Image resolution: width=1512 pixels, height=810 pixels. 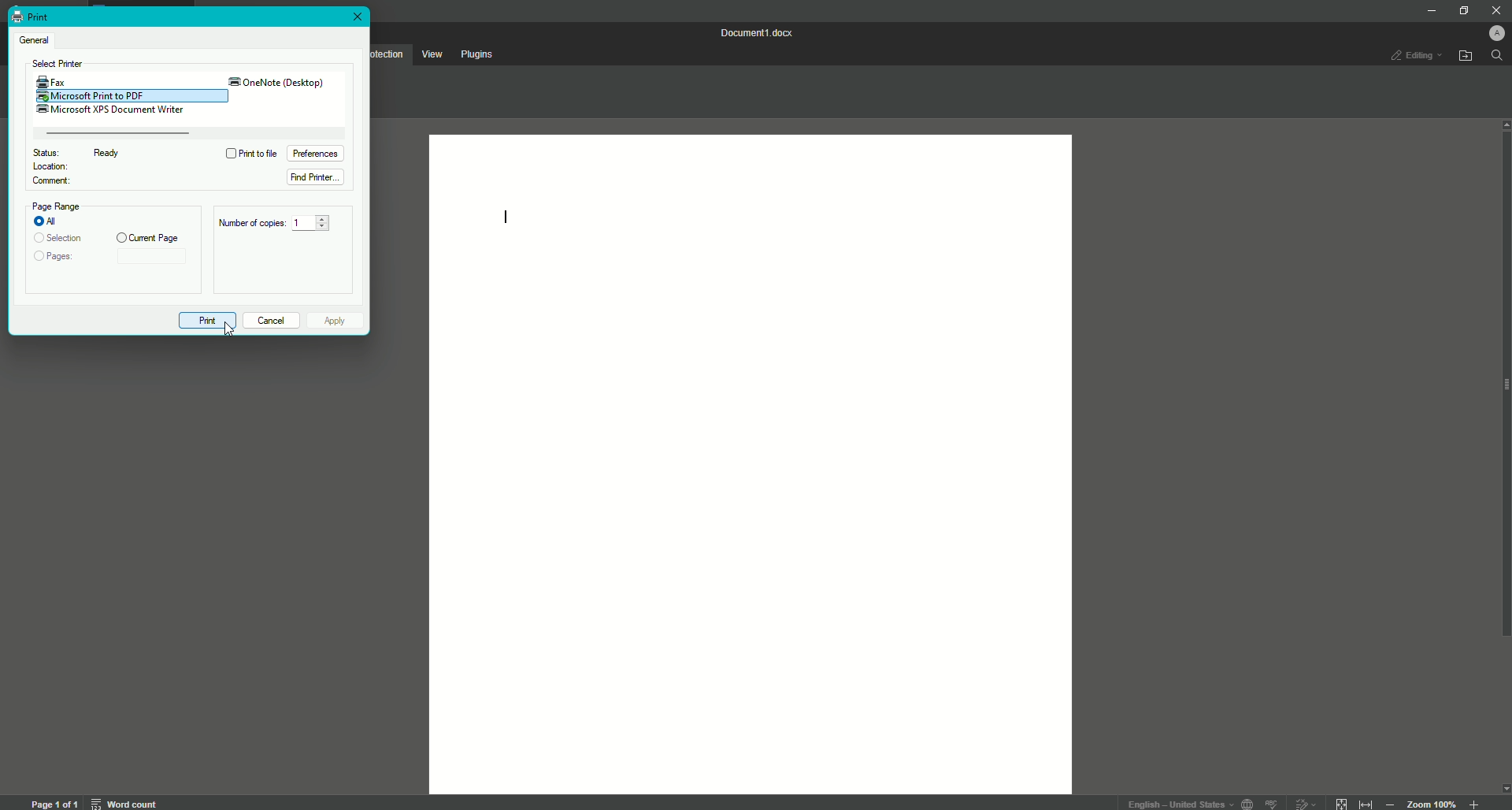 What do you see at coordinates (1475, 801) in the screenshot?
I see `Zoom in` at bounding box center [1475, 801].